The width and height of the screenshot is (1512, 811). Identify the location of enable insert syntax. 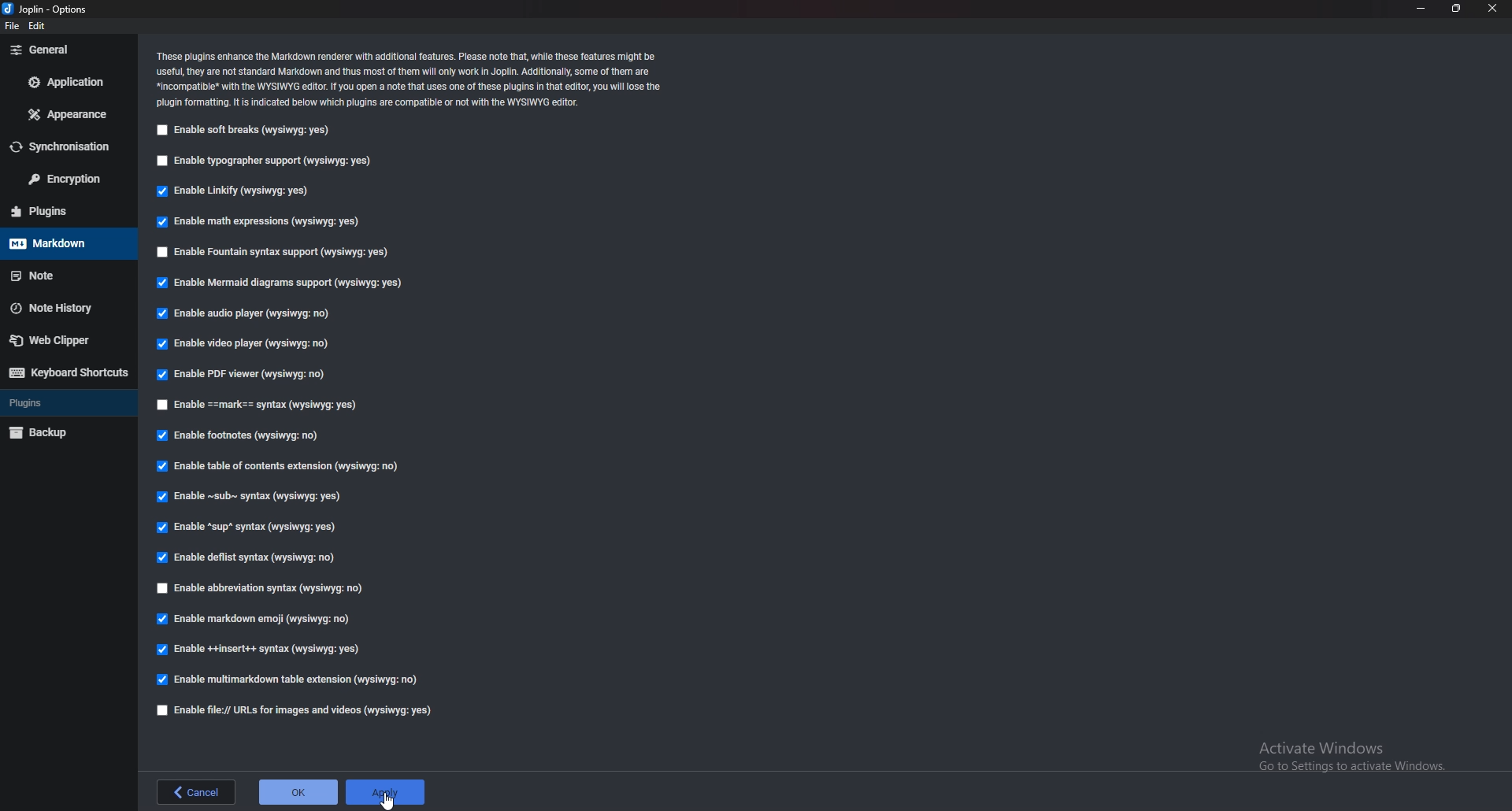
(259, 650).